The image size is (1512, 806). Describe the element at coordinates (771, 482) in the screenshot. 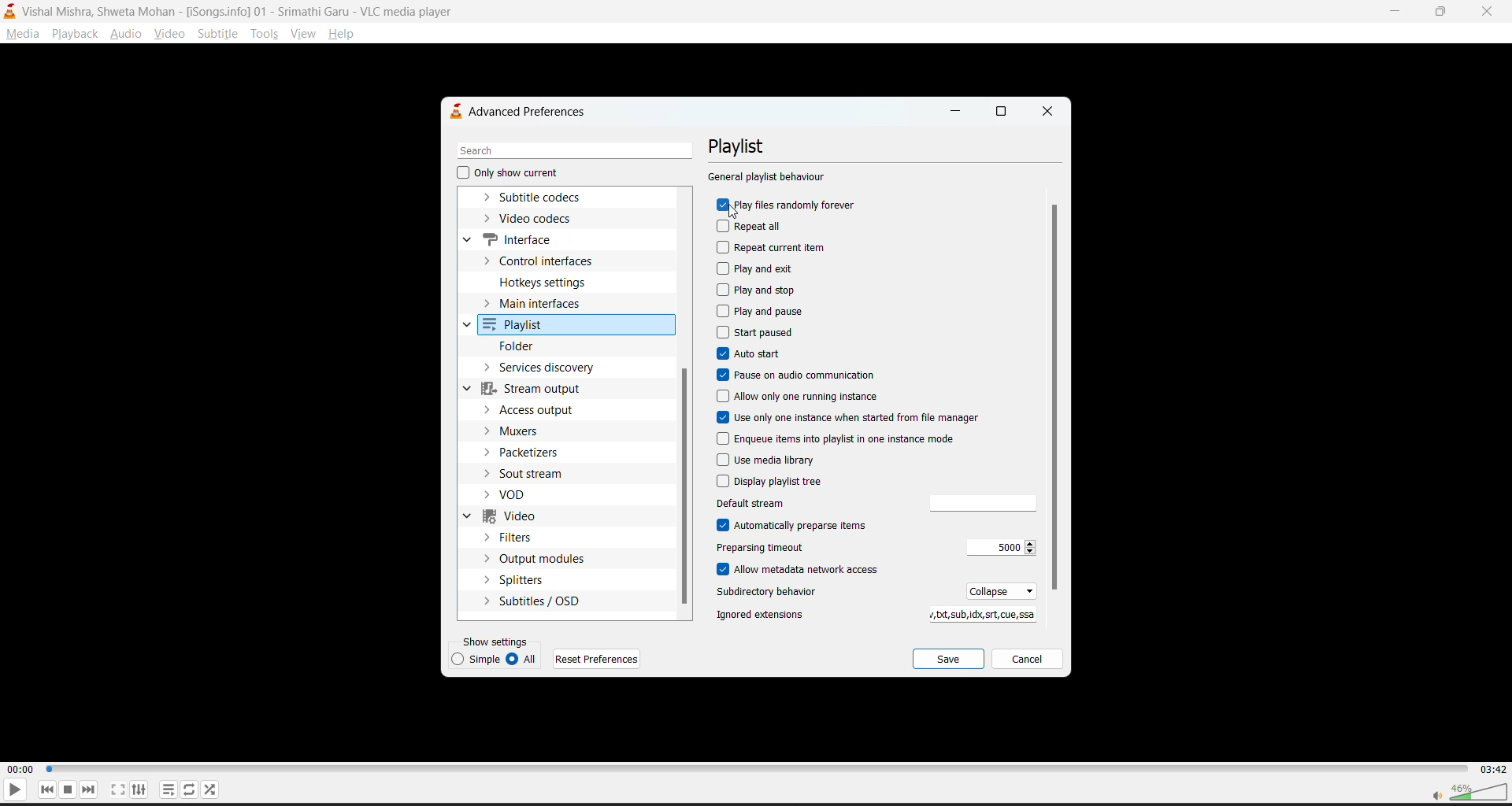

I see `display playlist tree` at that location.